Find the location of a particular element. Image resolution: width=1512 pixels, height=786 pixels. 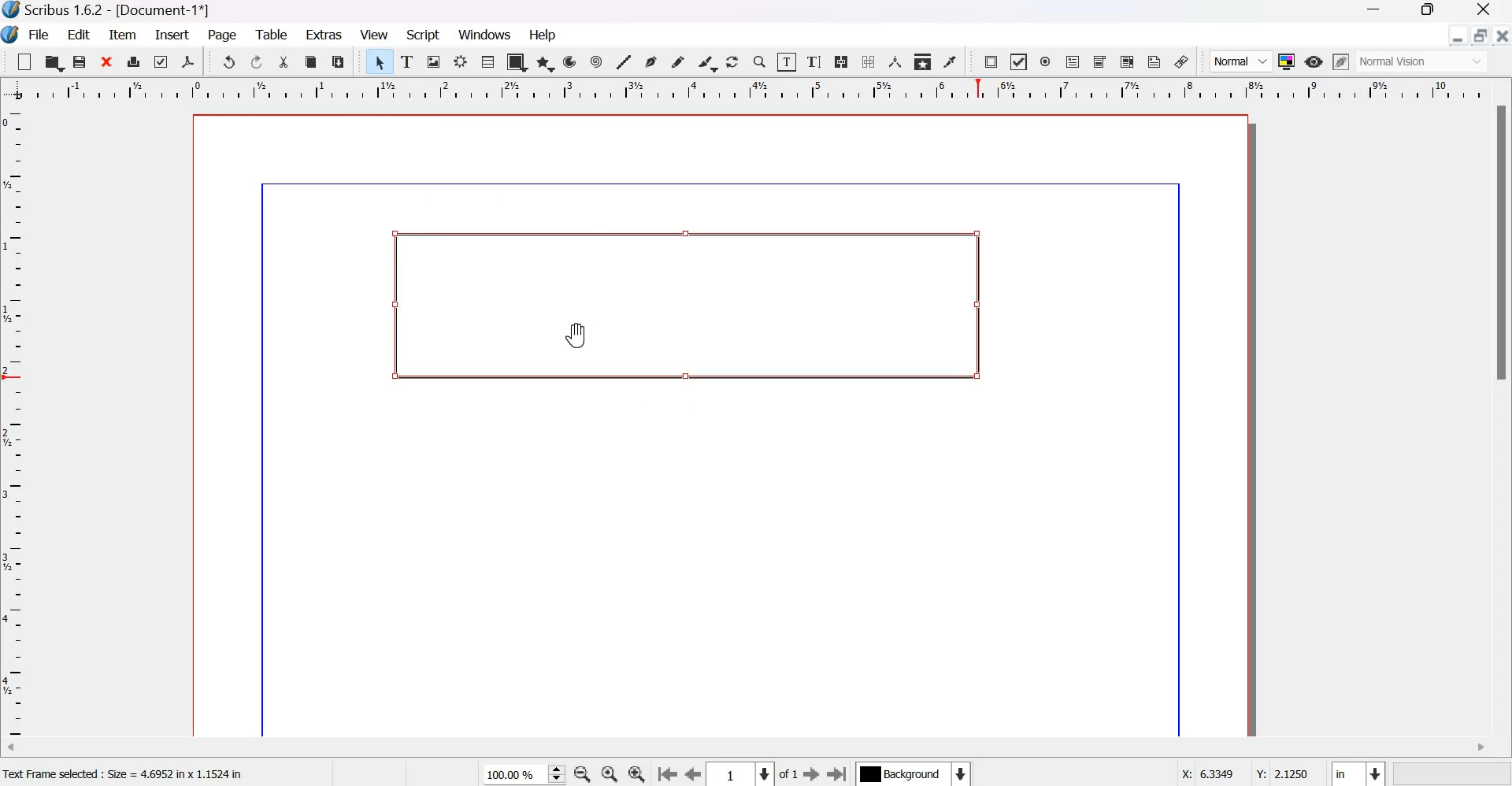

Maximize is located at coordinates (1422, 12).